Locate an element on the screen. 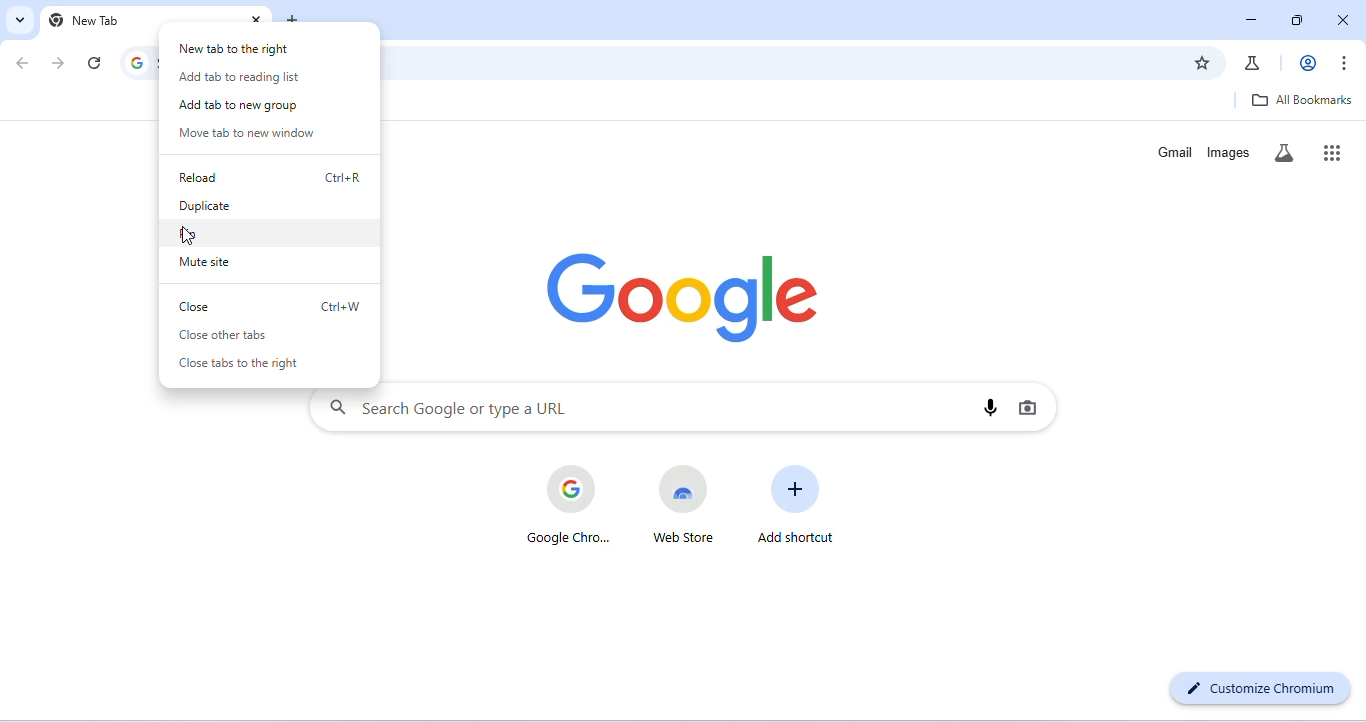  add bookmark is located at coordinates (1203, 63).